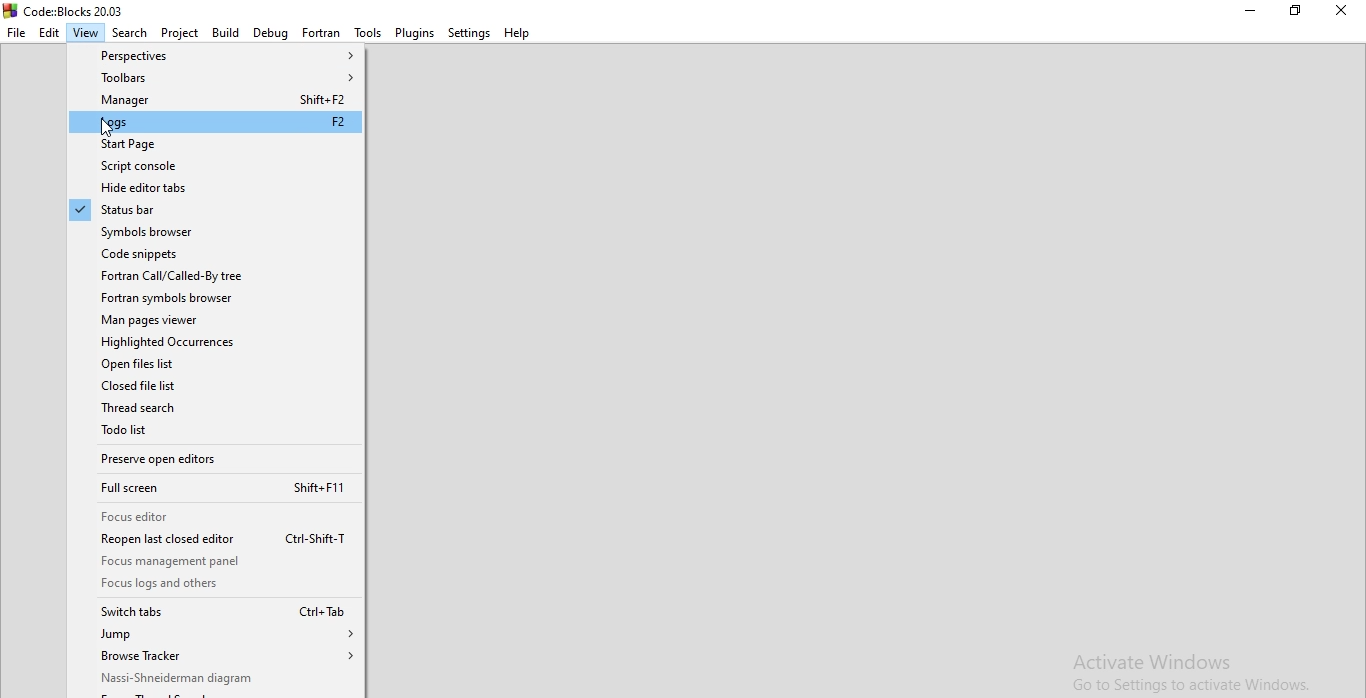  Describe the element at coordinates (50, 32) in the screenshot. I see `Edit ` at that location.